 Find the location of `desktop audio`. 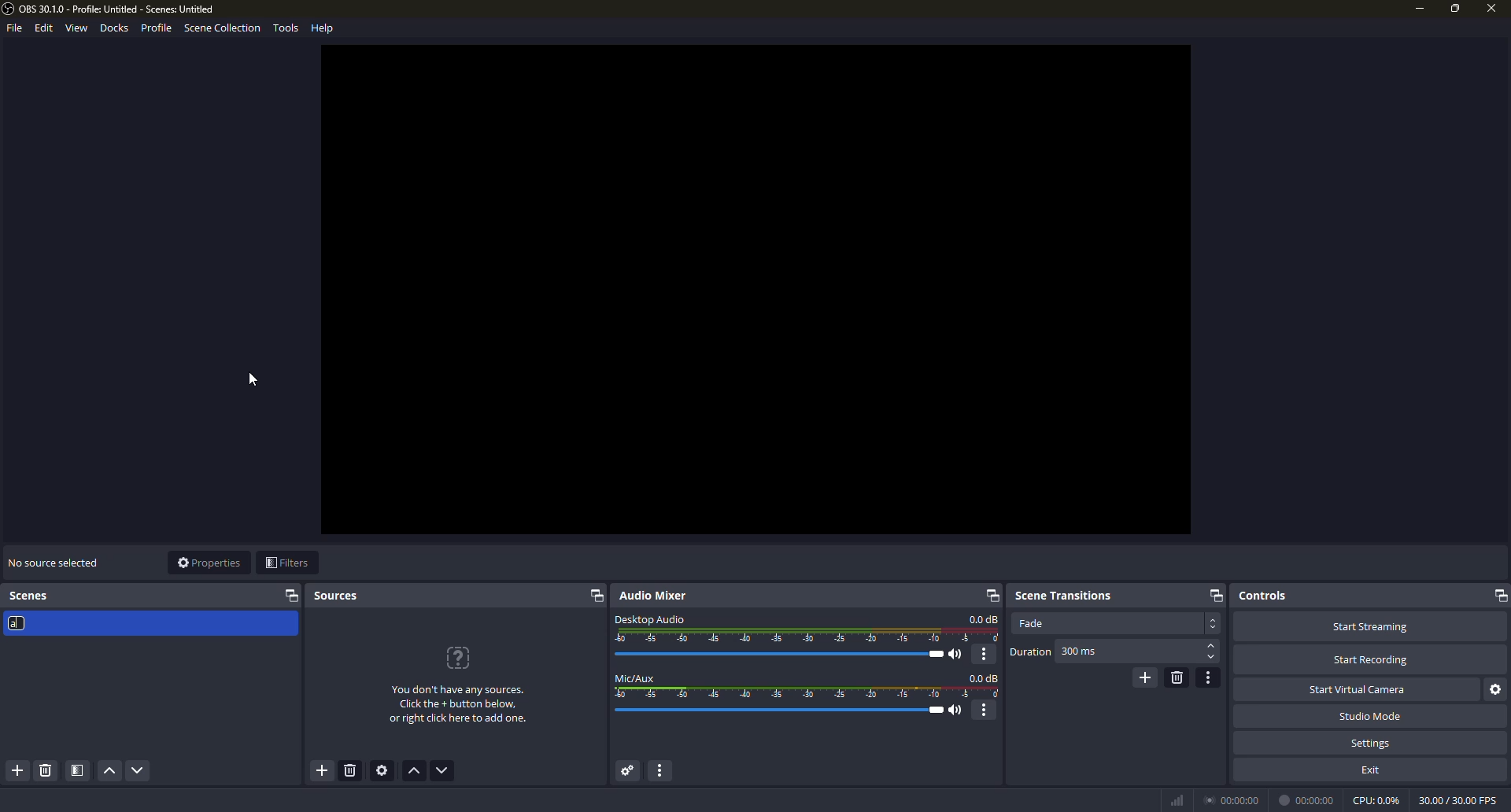

desktop audio is located at coordinates (650, 618).